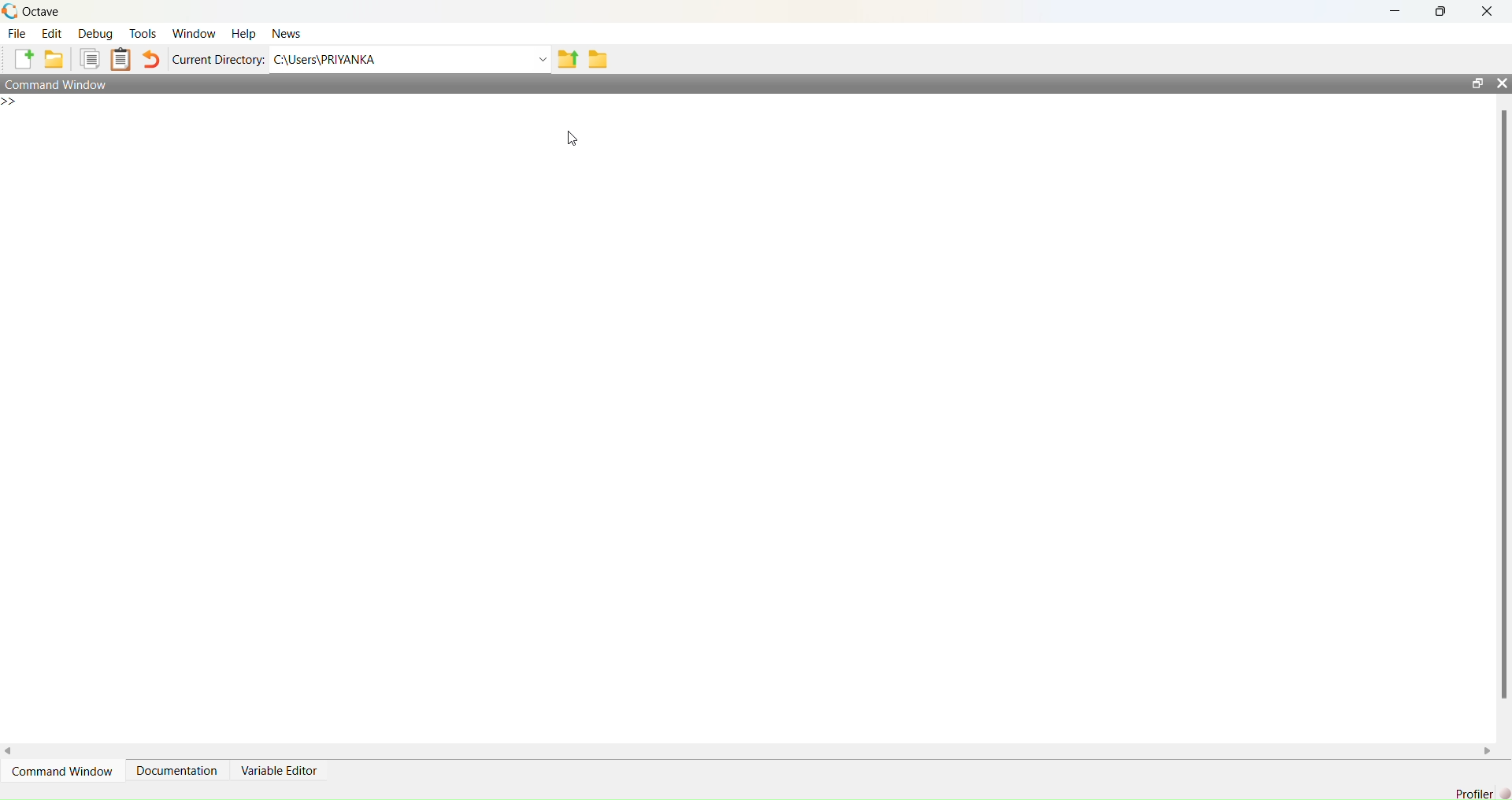  What do you see at coordinates (1482, 793) in the screenshot?
I see `Profiler` at bounding box center [1482, 793].